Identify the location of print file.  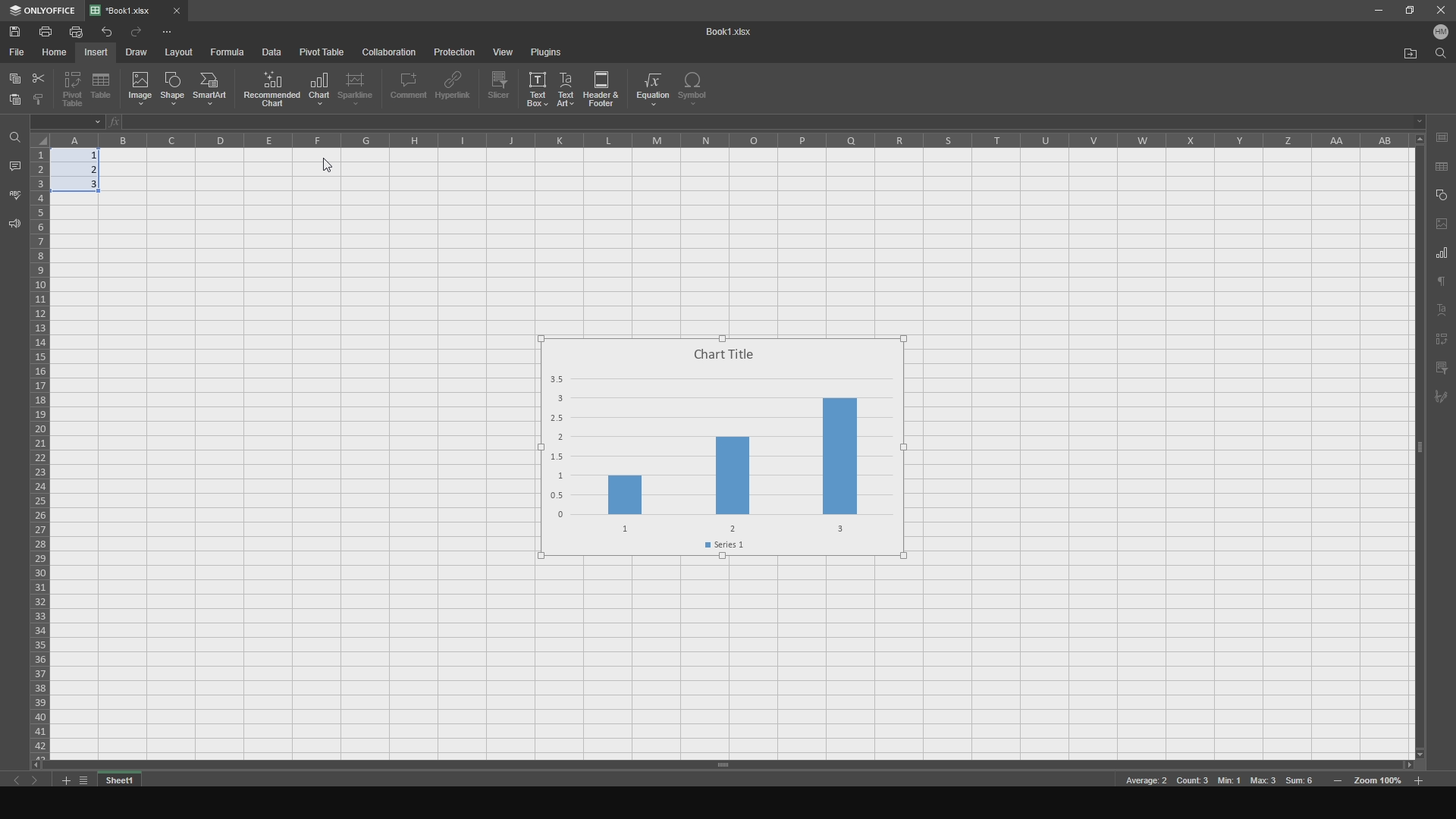
(77, 32).